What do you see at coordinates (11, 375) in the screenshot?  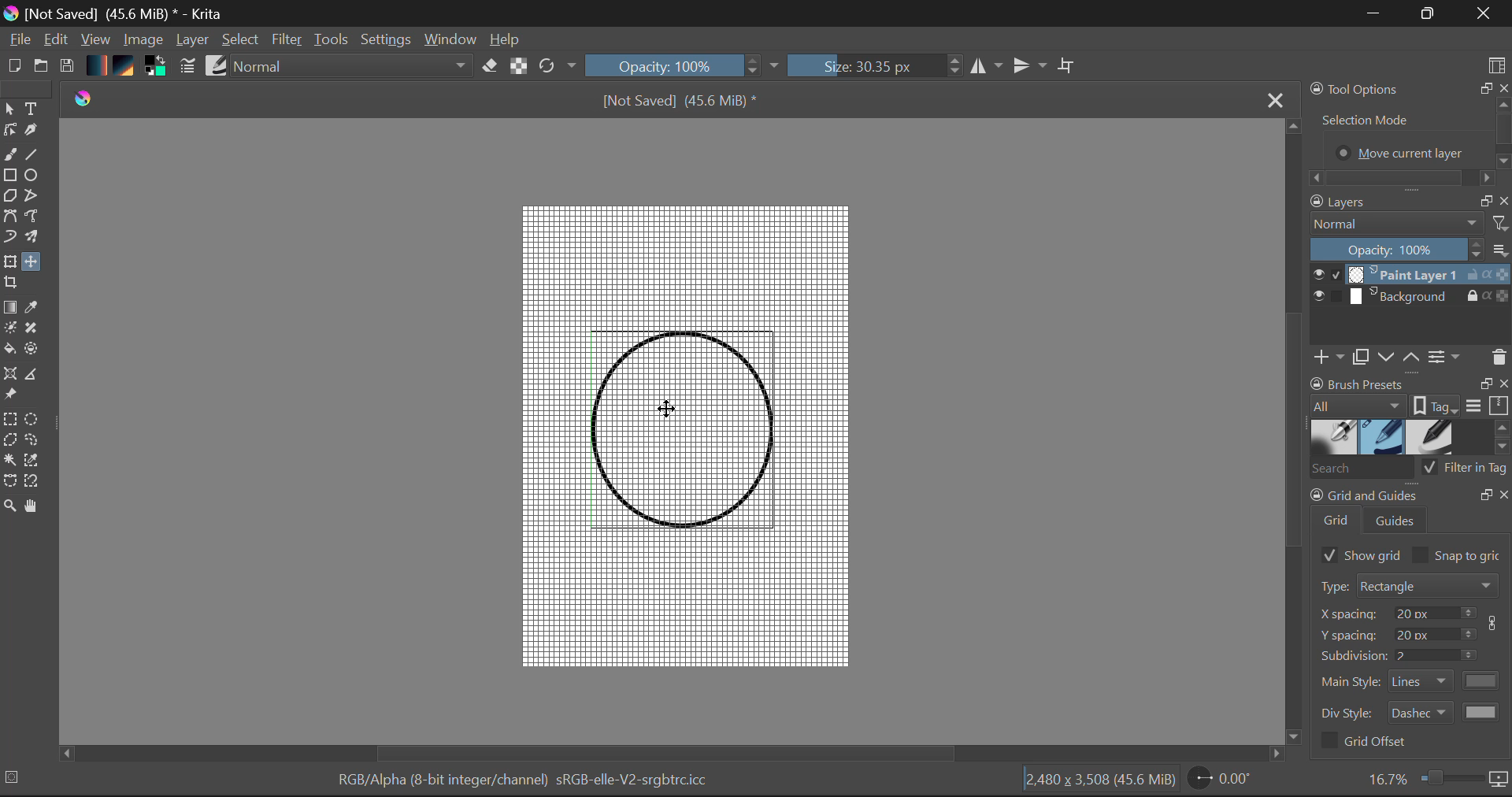 I see `Assistant Tool` at bounding box center [11, 375].